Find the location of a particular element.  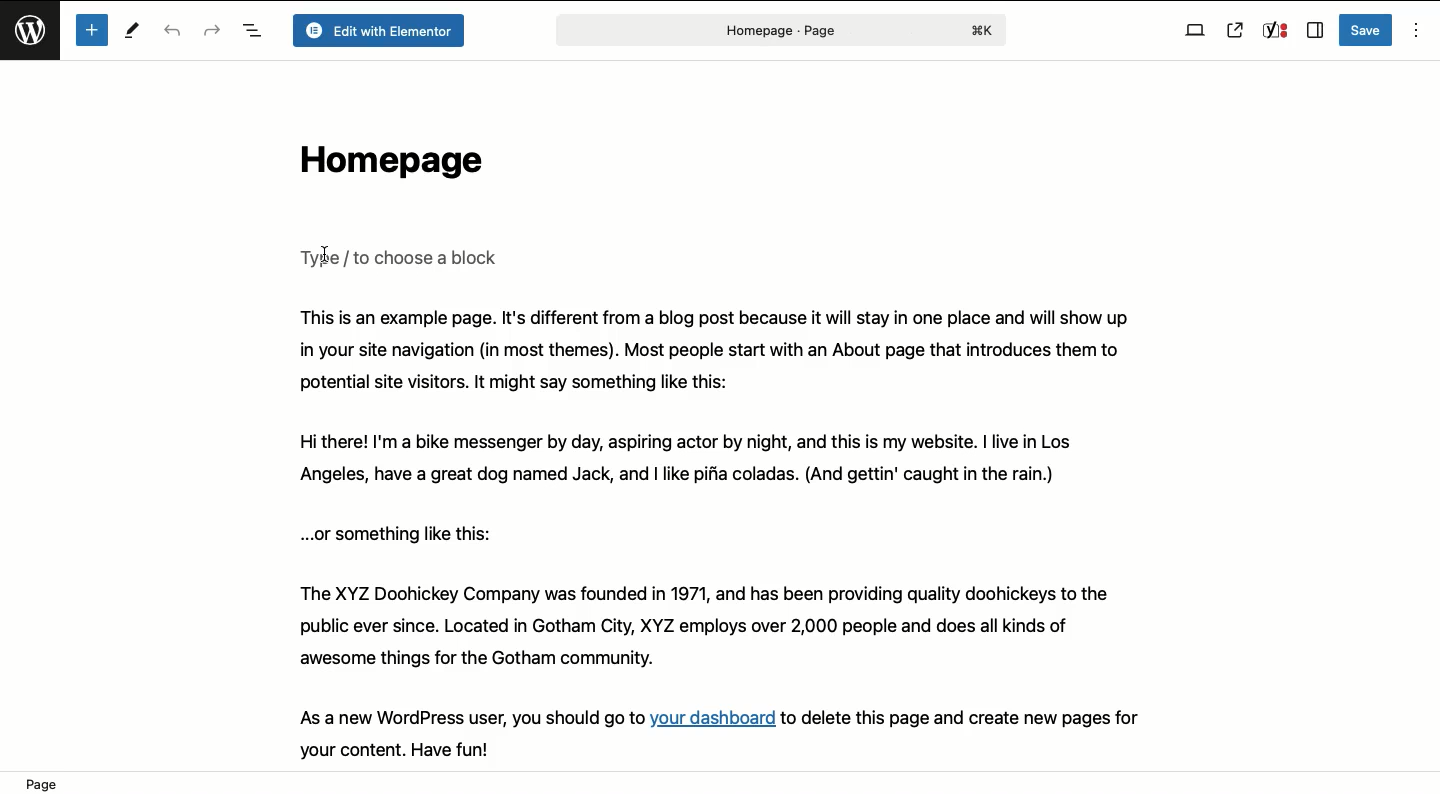

Hi there! I'm a bike messenger by day, aspiring actor by night, and this is my website. | live in Los
Angeles, have a great dog named Jack, and | like pifia coladas. (And gettin’ caught in the rain.) is located at coordinates (713, 461).